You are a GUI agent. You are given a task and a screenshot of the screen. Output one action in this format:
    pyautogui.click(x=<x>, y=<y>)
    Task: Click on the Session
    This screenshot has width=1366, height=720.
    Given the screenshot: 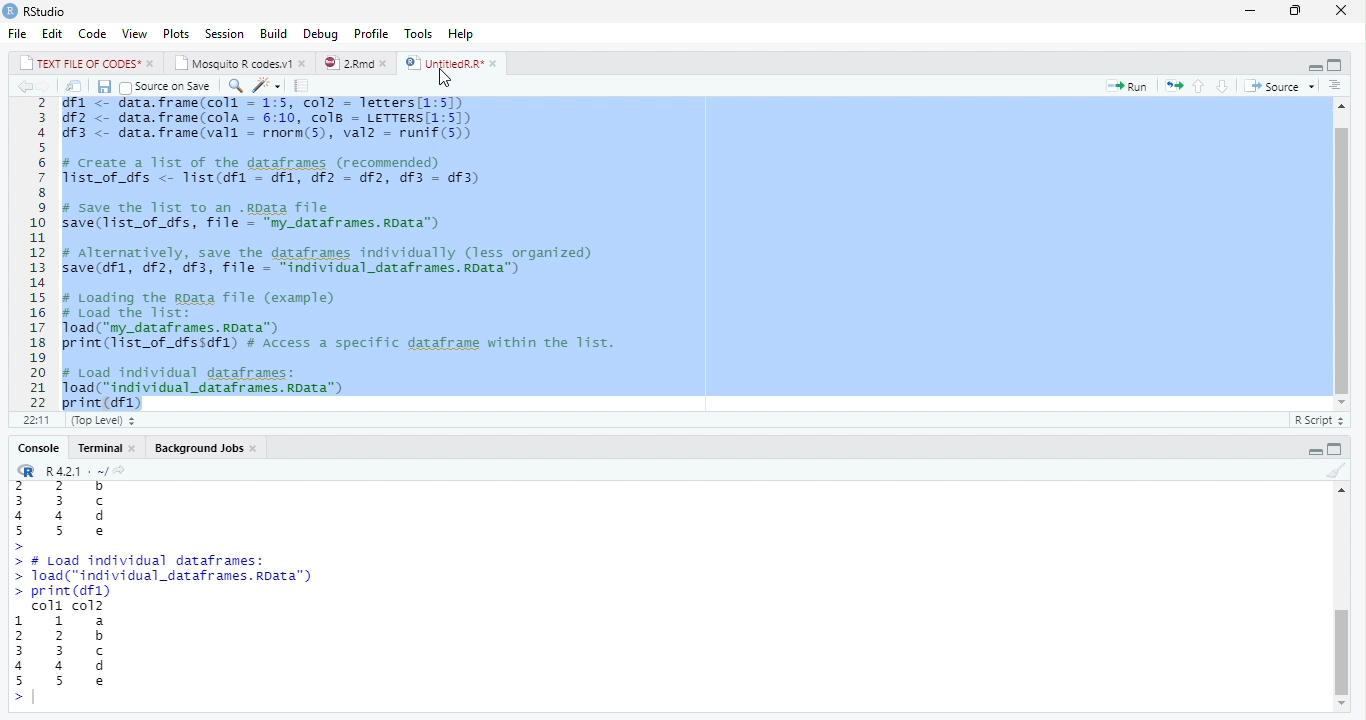 What is the action you would take?
    pyautogui.click(x=224, y=33)
    